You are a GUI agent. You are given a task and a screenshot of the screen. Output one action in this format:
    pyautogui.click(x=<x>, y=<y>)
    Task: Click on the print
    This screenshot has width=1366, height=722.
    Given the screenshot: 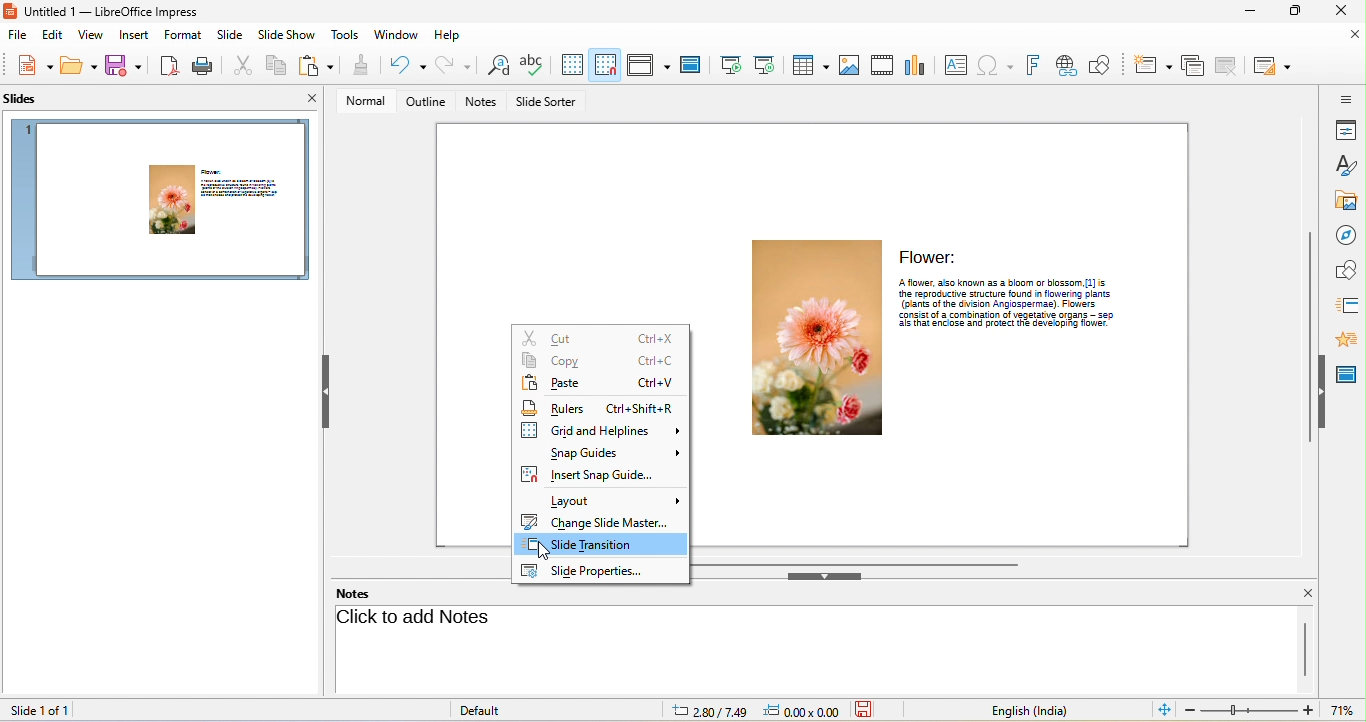 What is the action you would take?
    pyautogui.click(x=200, y=65)
    